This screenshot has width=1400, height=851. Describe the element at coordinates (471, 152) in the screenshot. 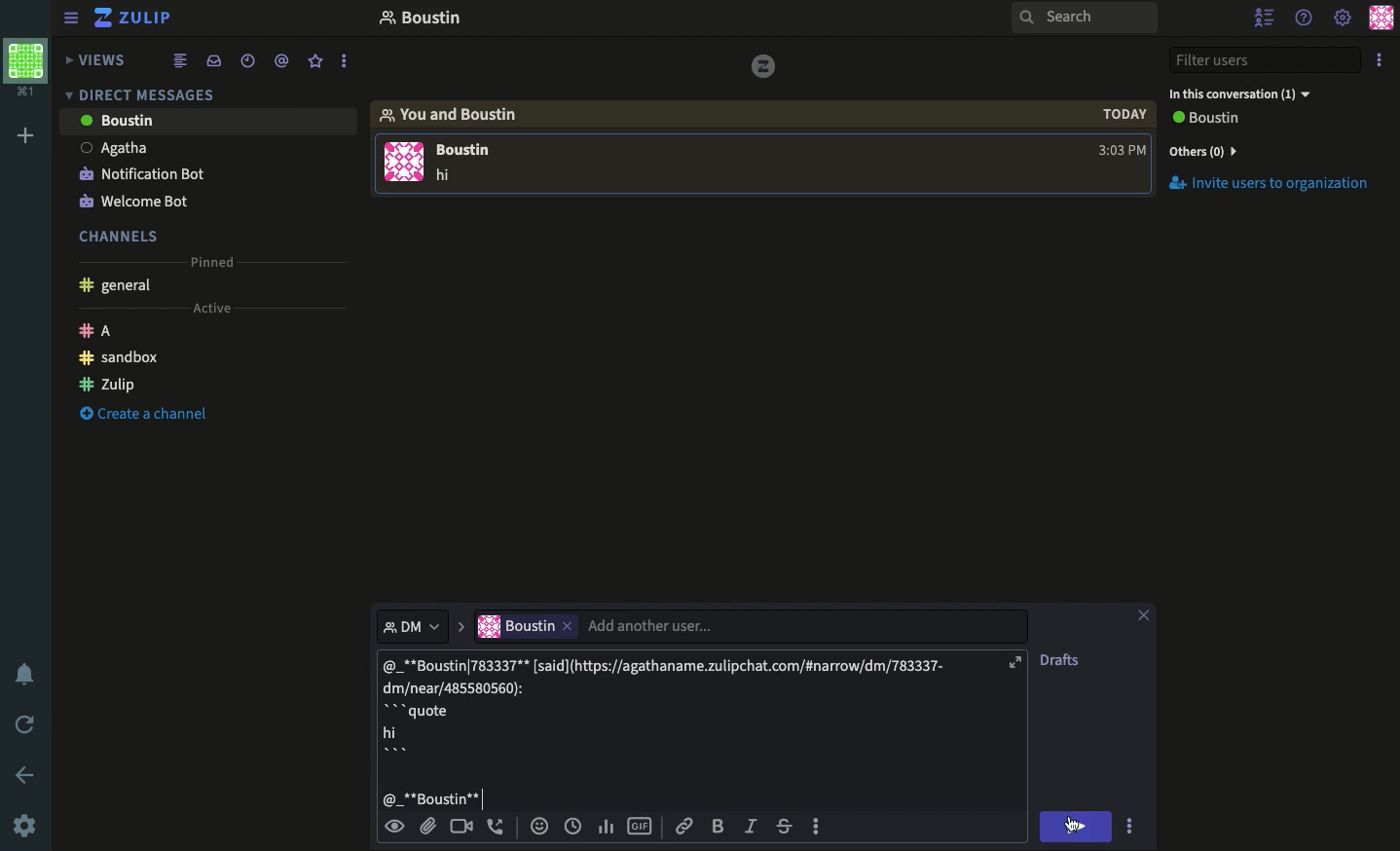

I see `USER` at that location.